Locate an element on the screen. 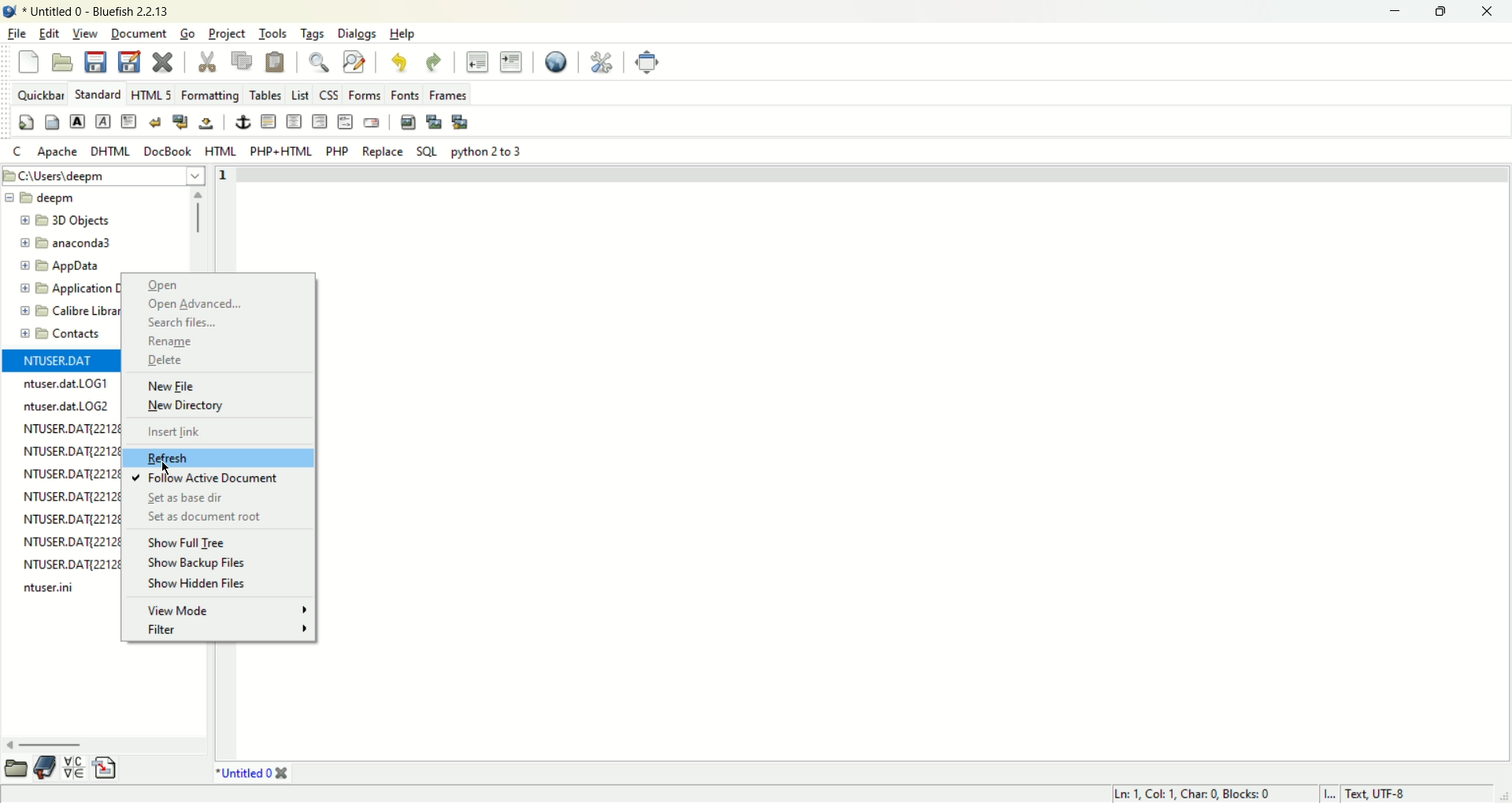 This screenshot has height=803, width=1512. search files is located at coordinates (205, 321).